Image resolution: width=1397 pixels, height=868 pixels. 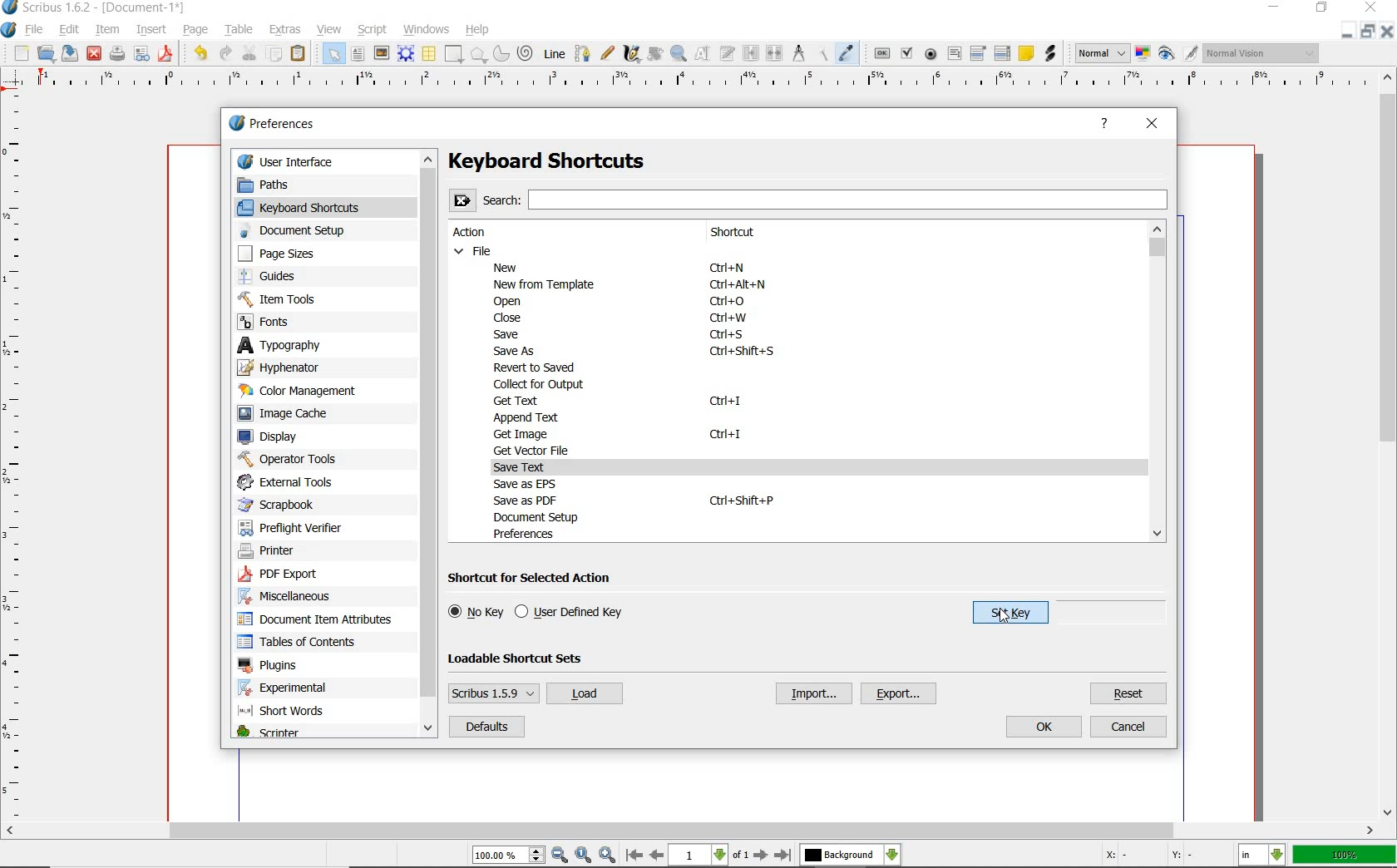 I want to click on table, so click(x=430, y=55).